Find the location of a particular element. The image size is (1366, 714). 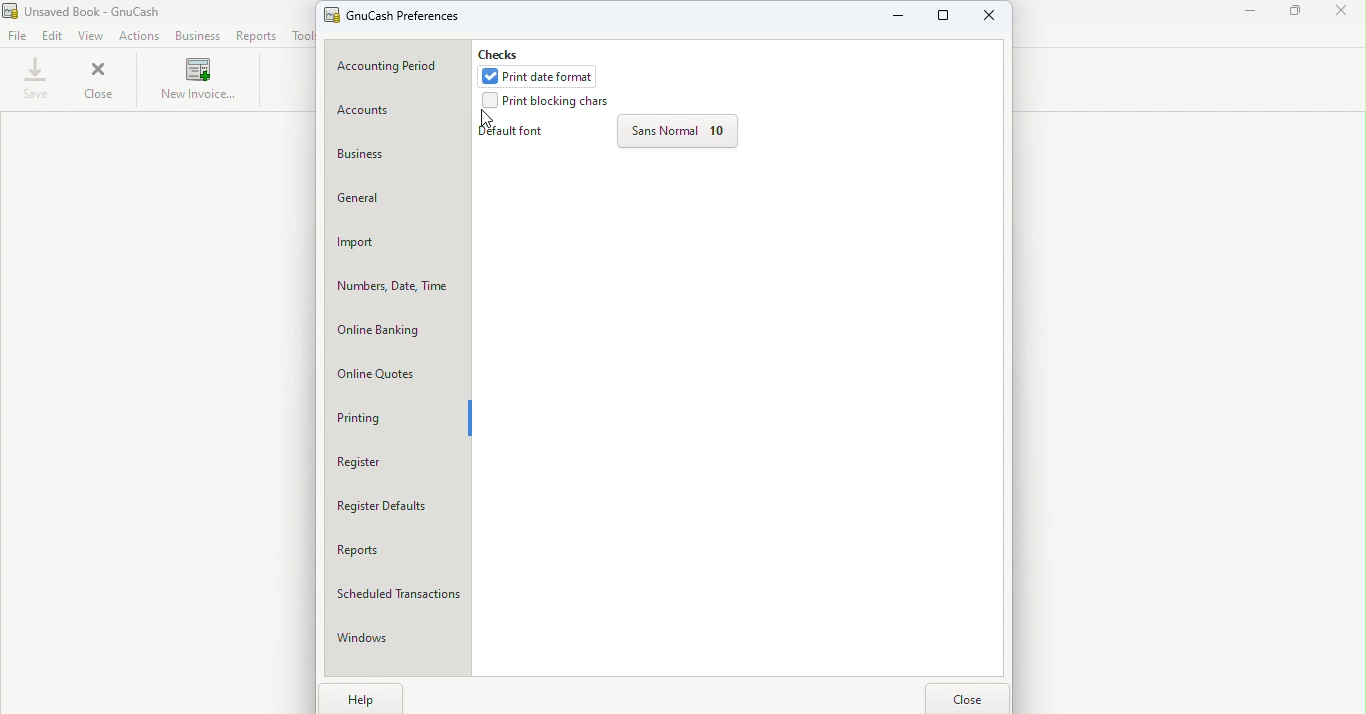

Default fonts is located at coordinates (518, 133).